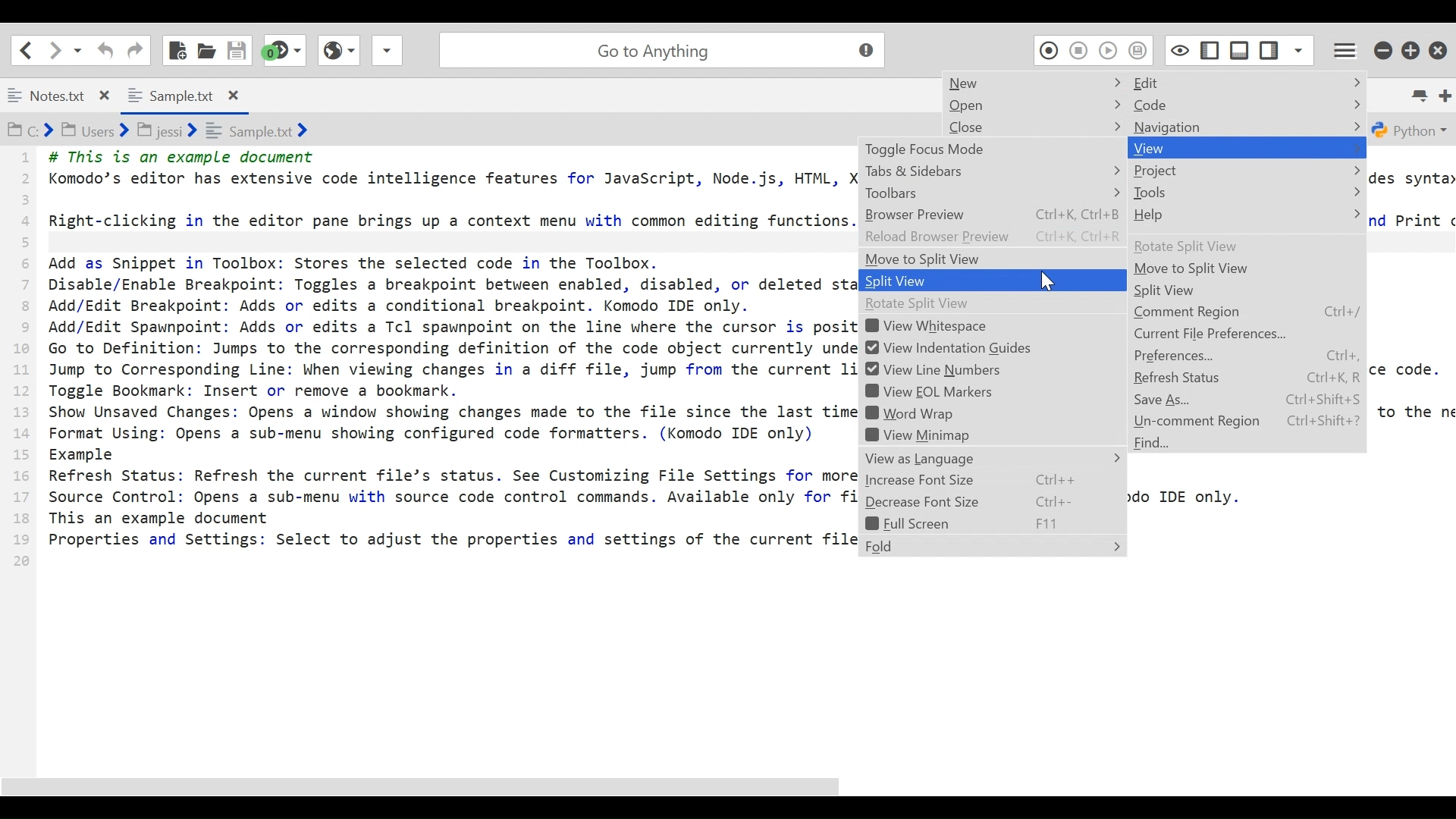 The height and width of the screenshot is (819, 1456). Describe the element at coordinates (1299, 49) in the screenshot. I see `Show Specific Sidebar` at that location.